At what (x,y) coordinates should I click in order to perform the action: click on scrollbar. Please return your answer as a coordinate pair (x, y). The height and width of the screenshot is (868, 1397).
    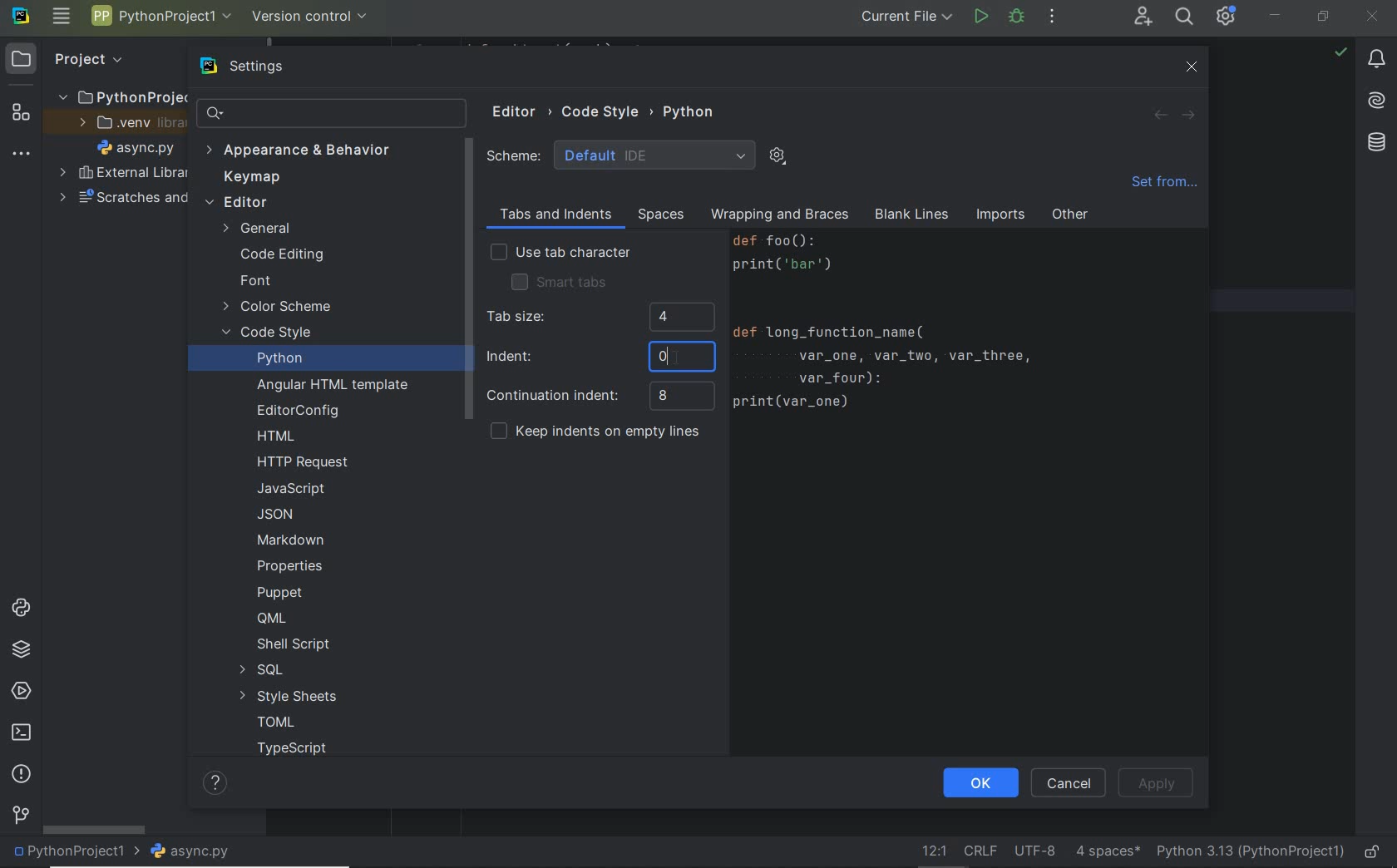
    Looking at the image, I should click on (93, 830).